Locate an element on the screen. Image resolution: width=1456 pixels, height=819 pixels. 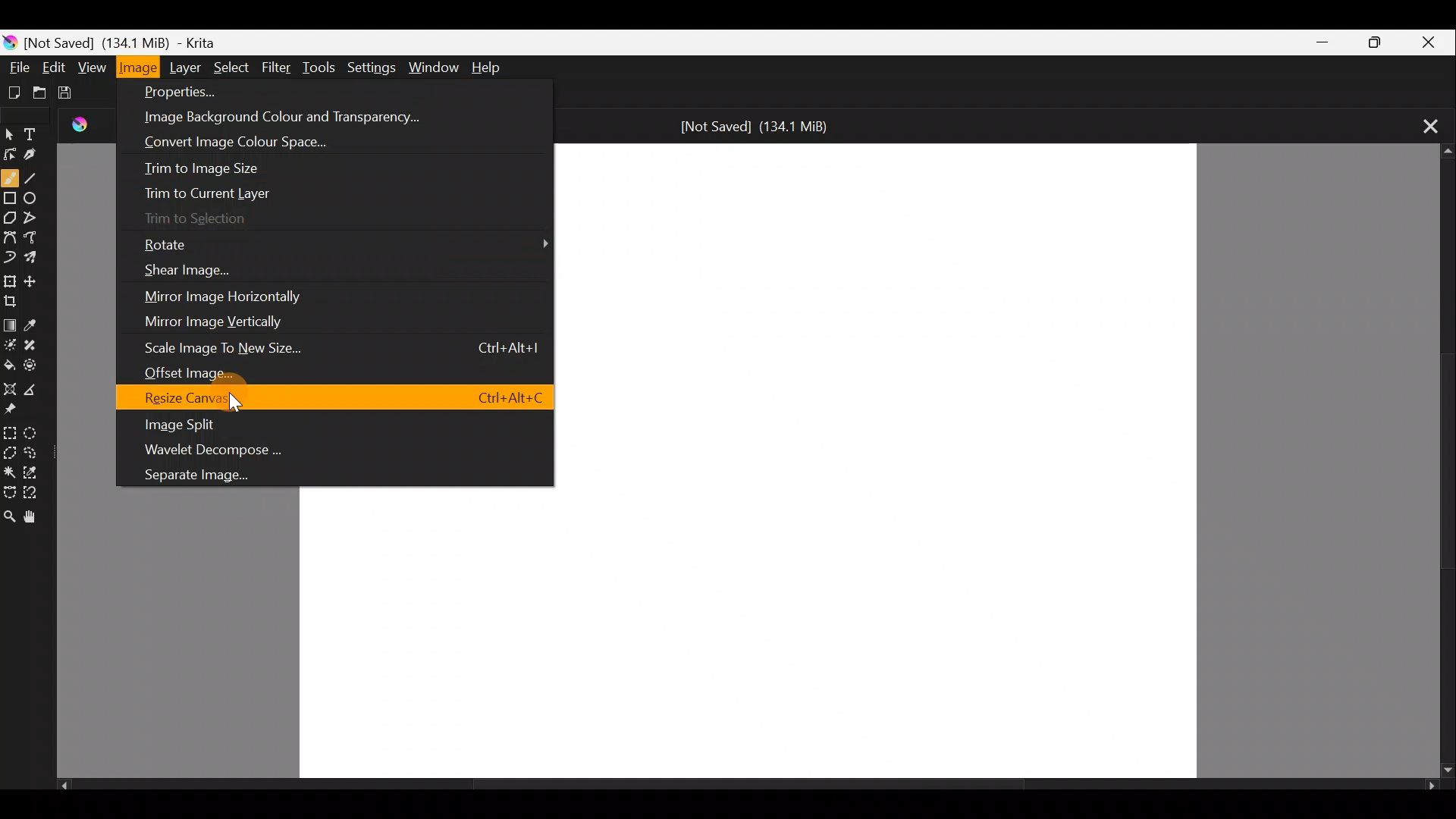
Reference images tool is located at coordinates (12, 411).